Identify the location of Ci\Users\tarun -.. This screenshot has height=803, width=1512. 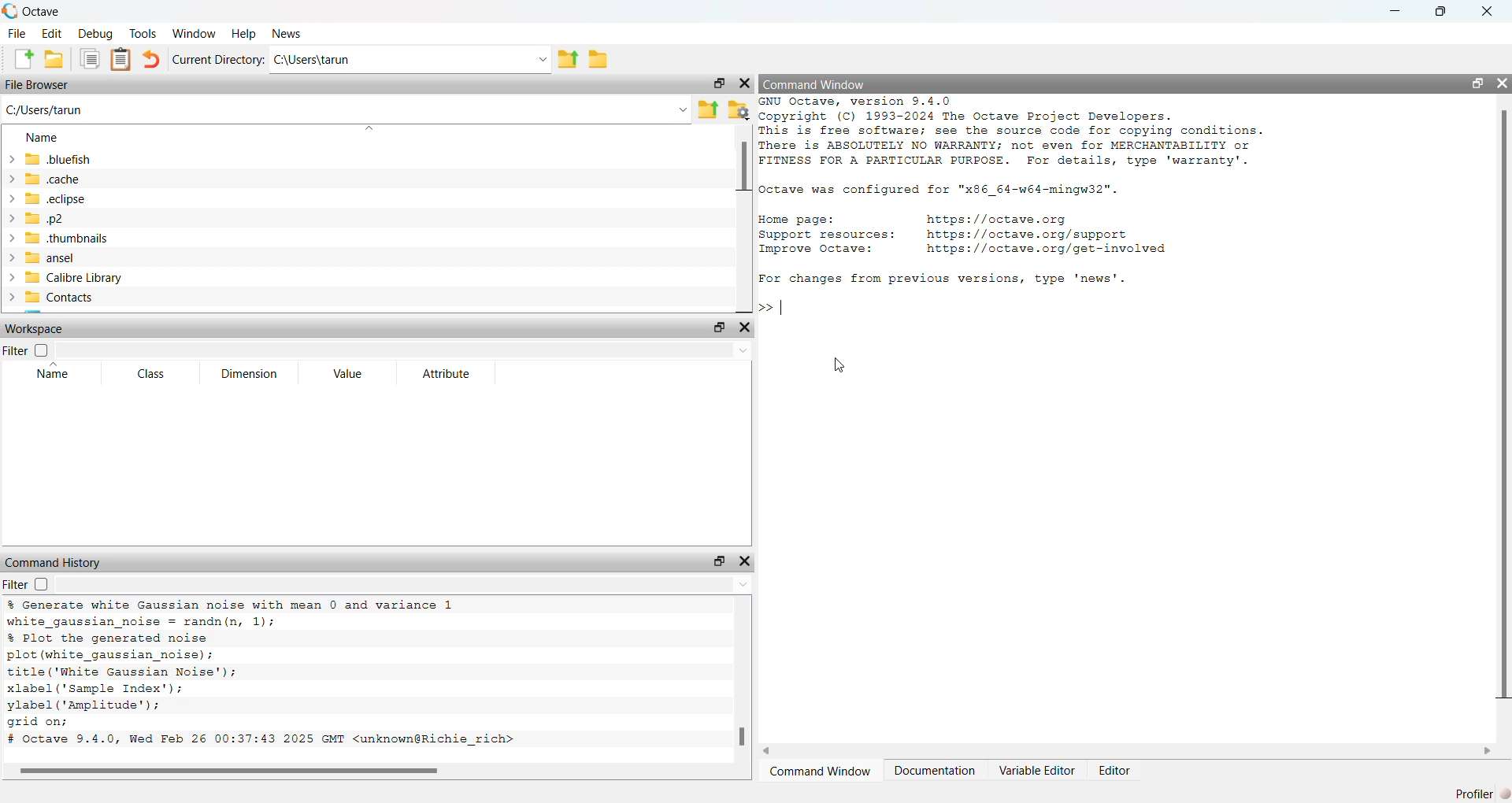
(412, 59).